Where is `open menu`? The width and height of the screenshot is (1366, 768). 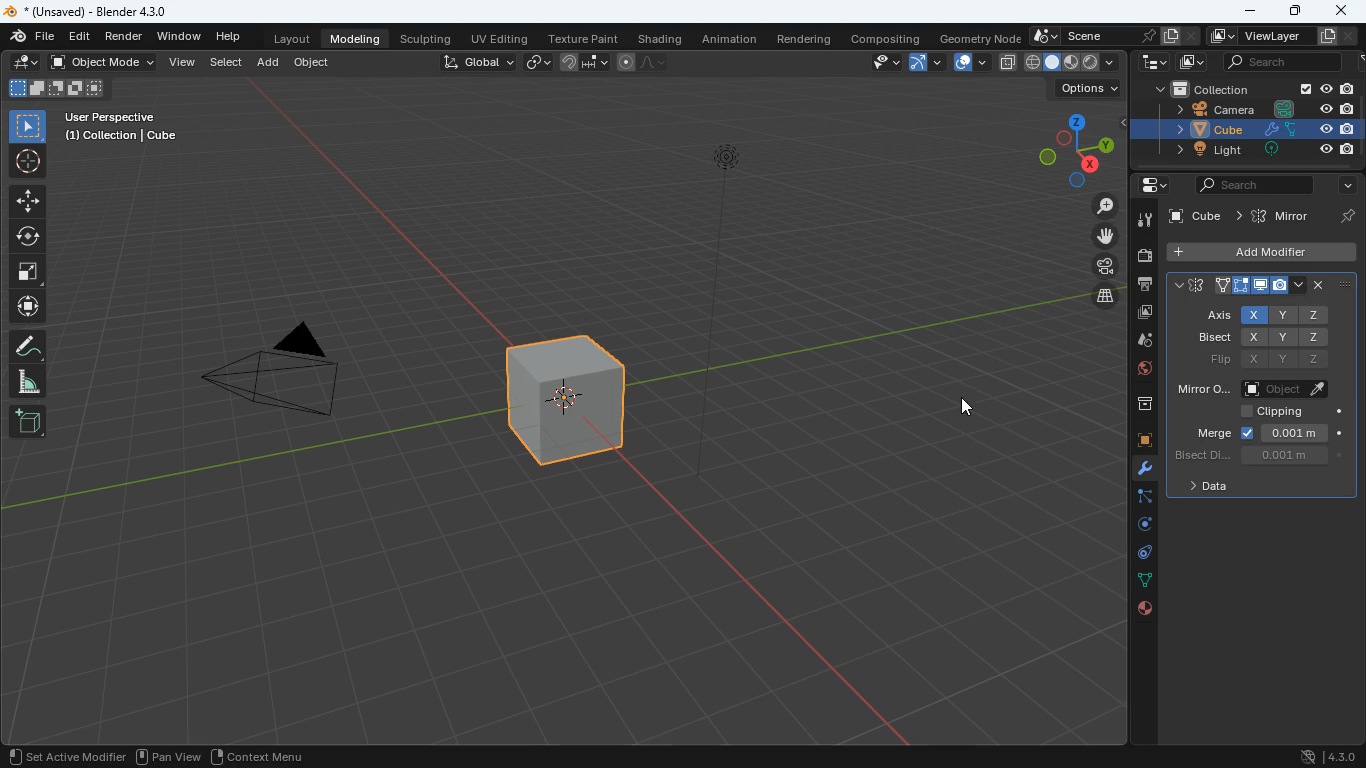 open menu is located at coordinates (1263, 289).